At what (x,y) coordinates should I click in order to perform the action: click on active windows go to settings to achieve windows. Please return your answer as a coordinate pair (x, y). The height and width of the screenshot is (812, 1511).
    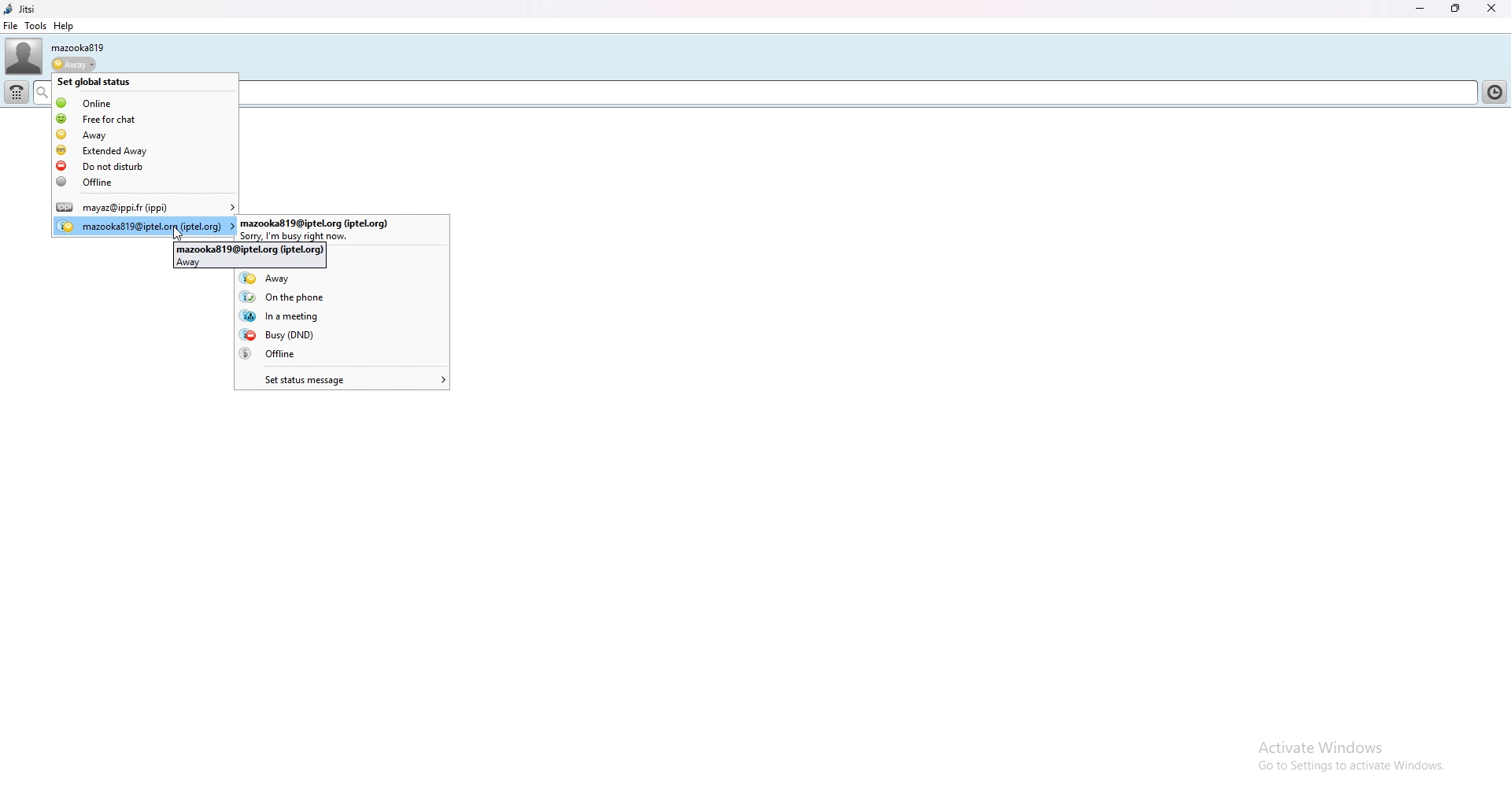
    Looking at the image, I should click on (1331, 756).